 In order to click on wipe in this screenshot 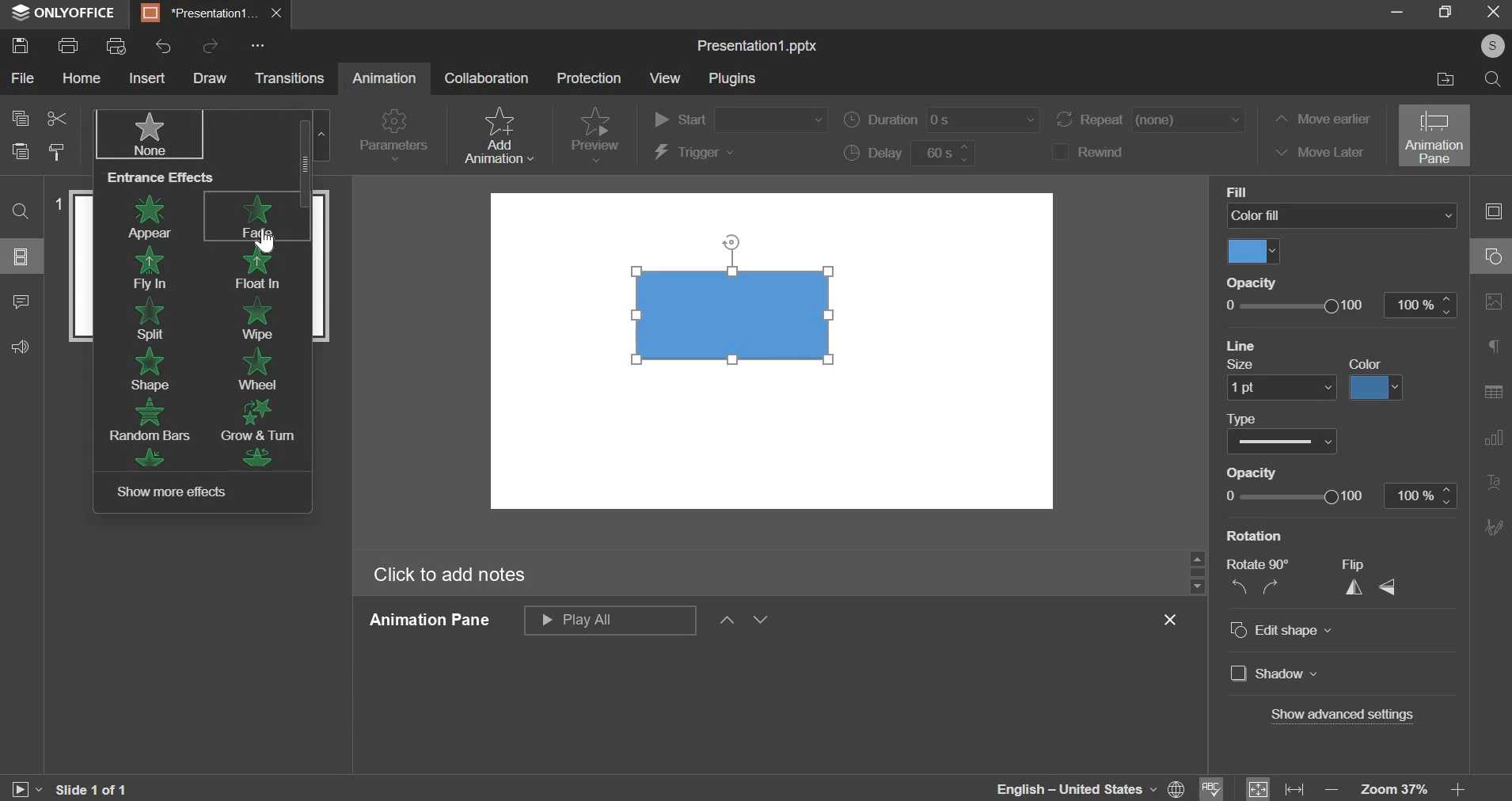, I will do `click(264, 317)`.